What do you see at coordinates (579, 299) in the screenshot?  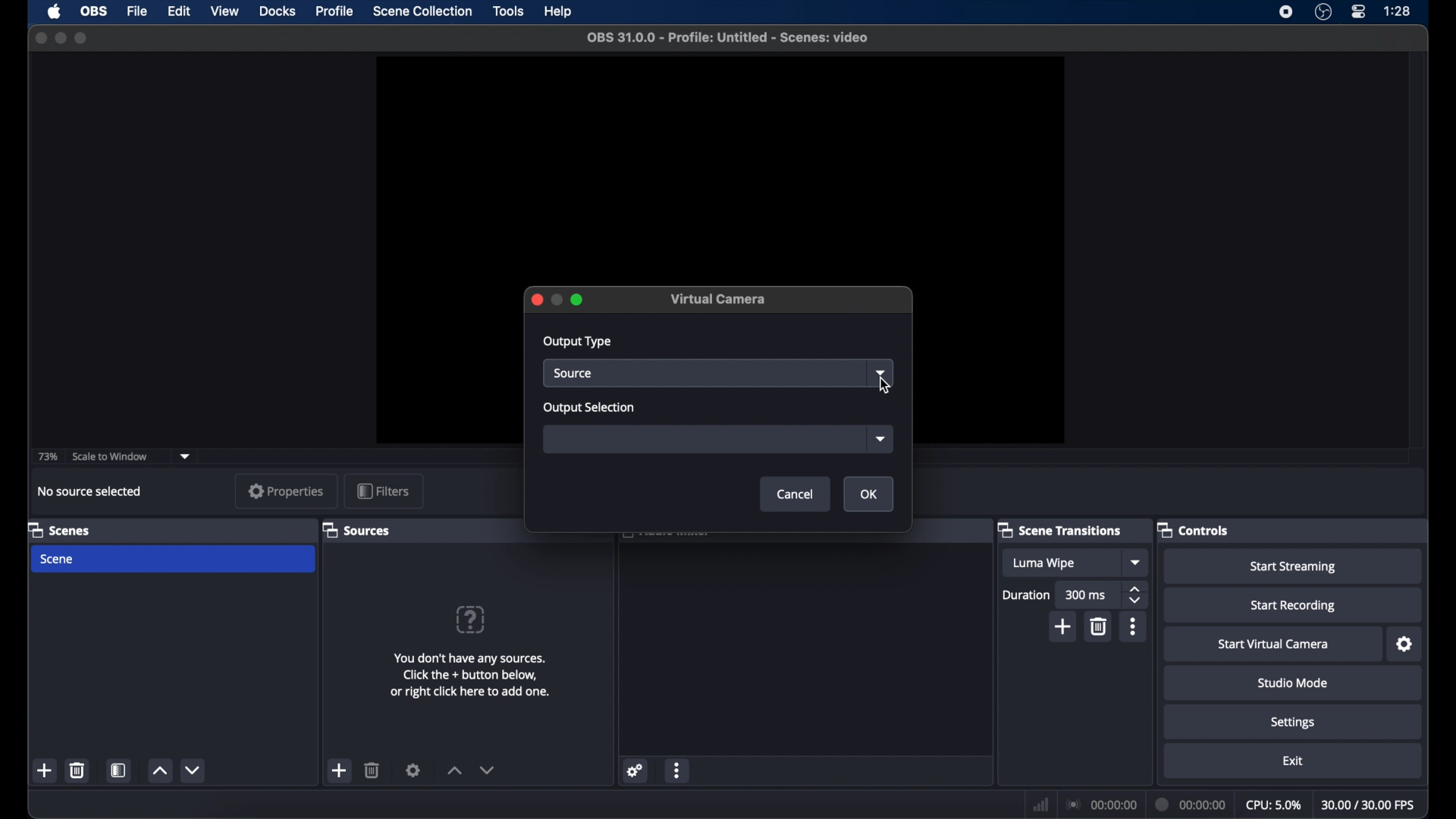 I see `maximize` at bounding box center [579, 299].